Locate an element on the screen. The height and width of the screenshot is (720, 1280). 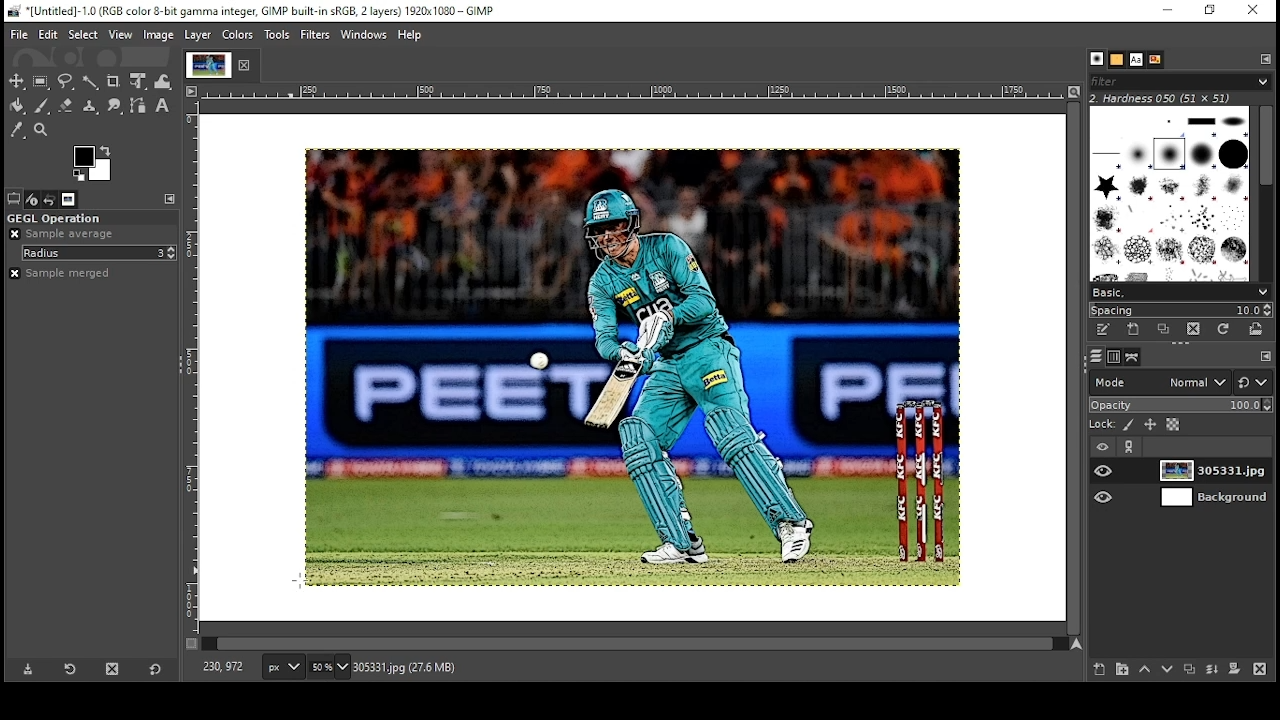
move layer one step down is located at coordinates (1168, 670).